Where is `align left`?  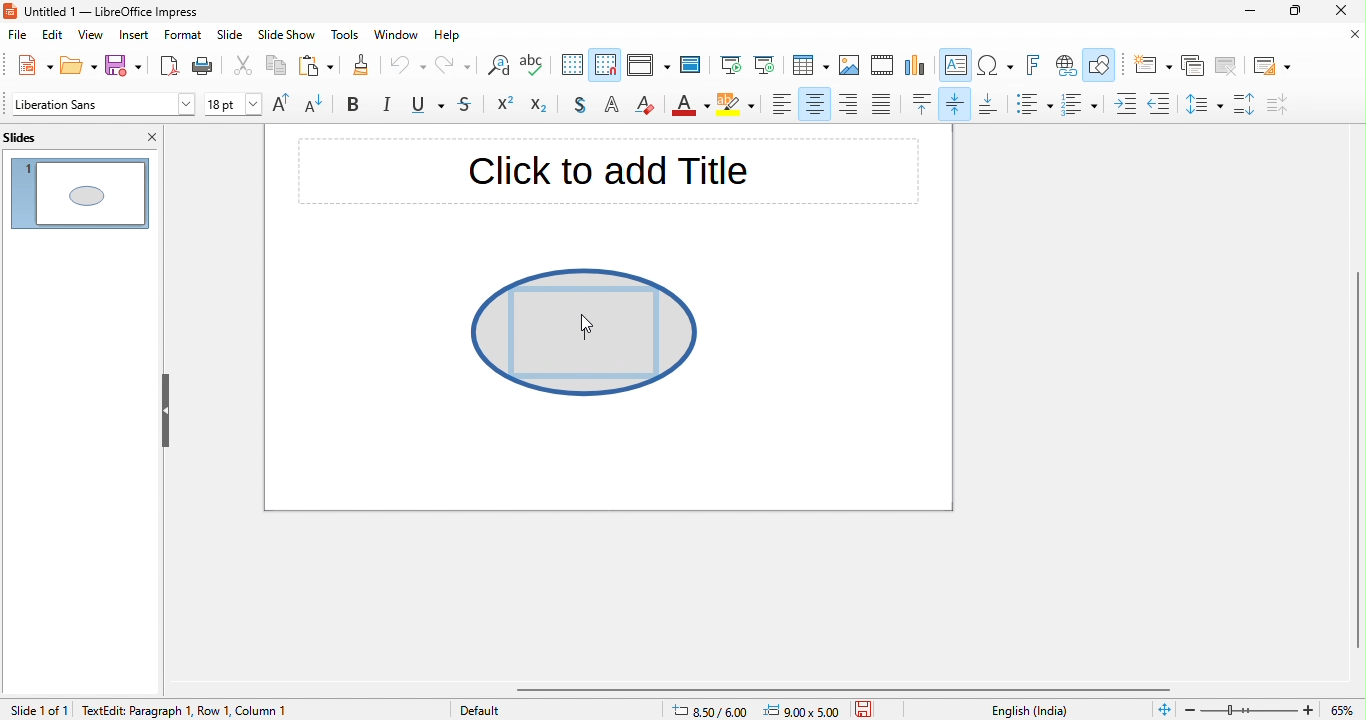
align left is located at coordinates (782, 104).